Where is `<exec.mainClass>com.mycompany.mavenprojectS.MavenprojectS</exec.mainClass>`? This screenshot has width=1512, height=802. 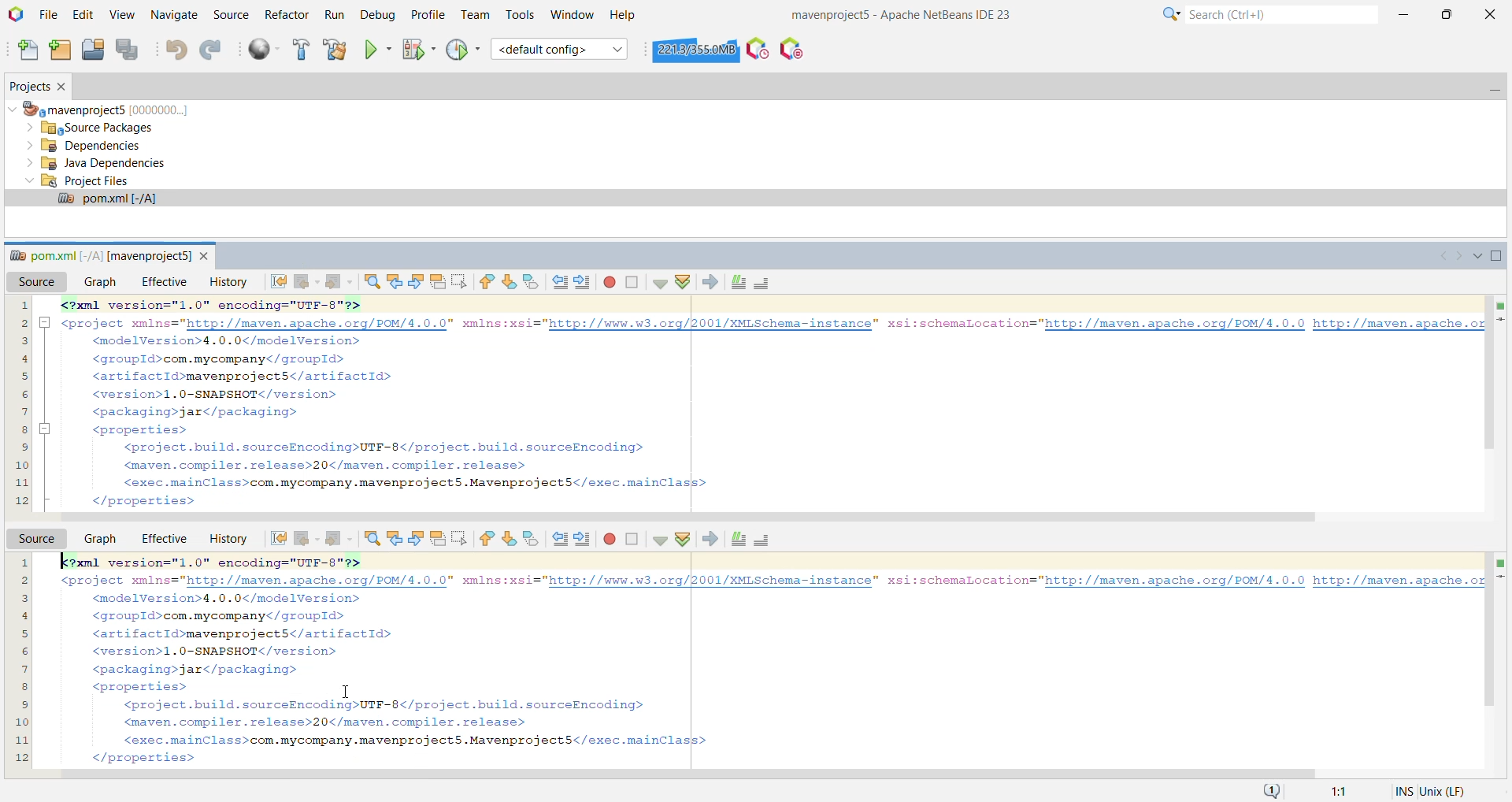 <exec.mainClass>com.mycompany.mavenprojectS.MavenprojectS</exec.mainClass> is located at coordinates (418, 741).